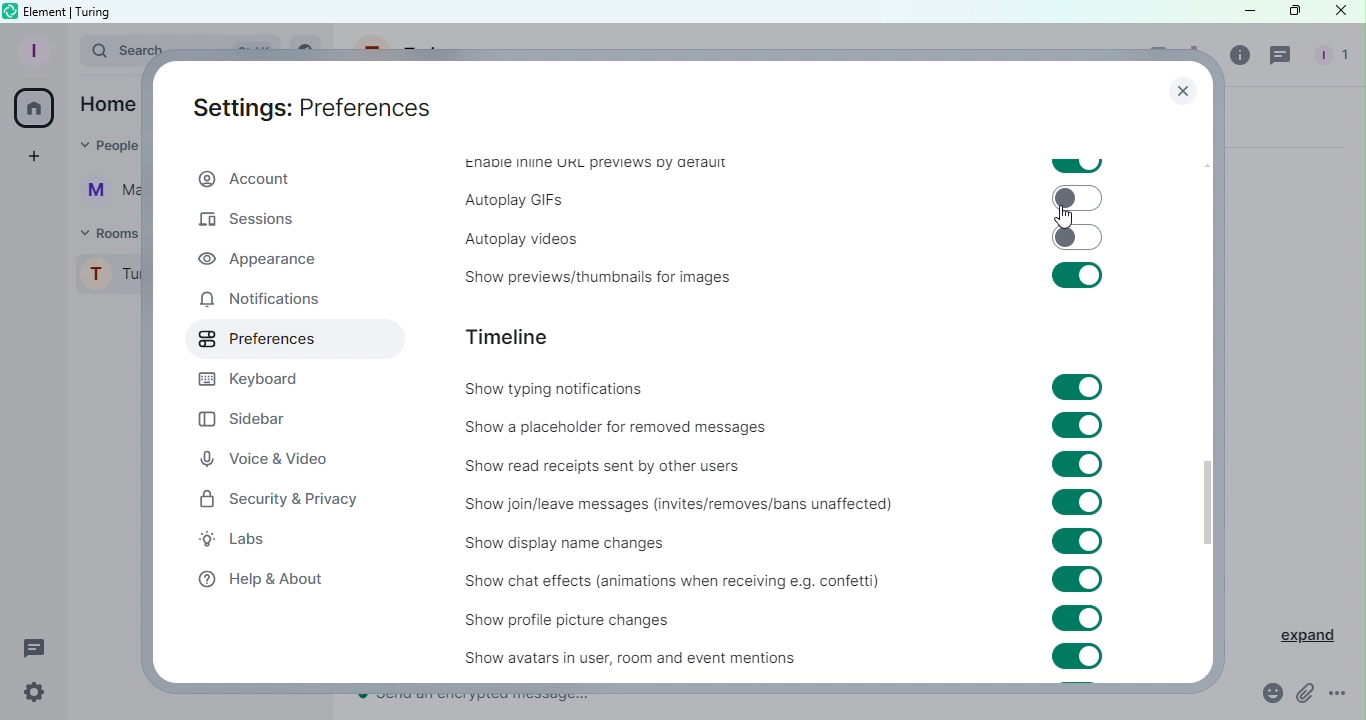  Describe the element at coordinates (1076, 199) in the screenshot. I see `Toggle` at that location.